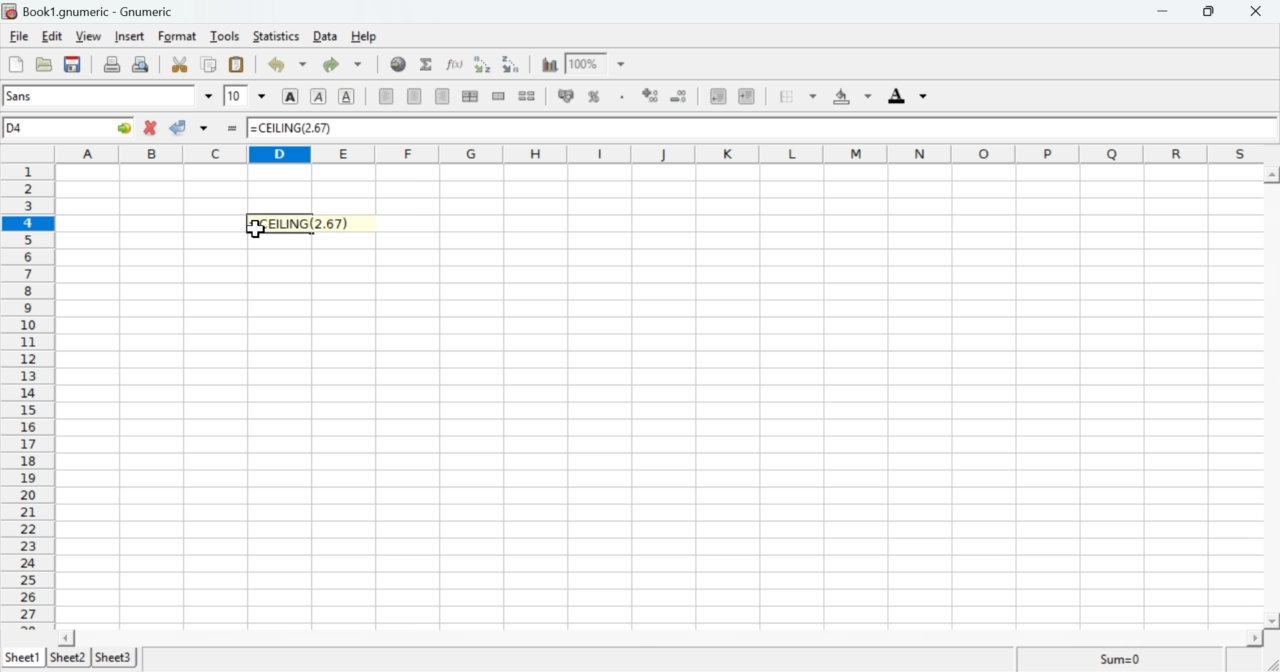  I want to click on icon, so click(10, 11).